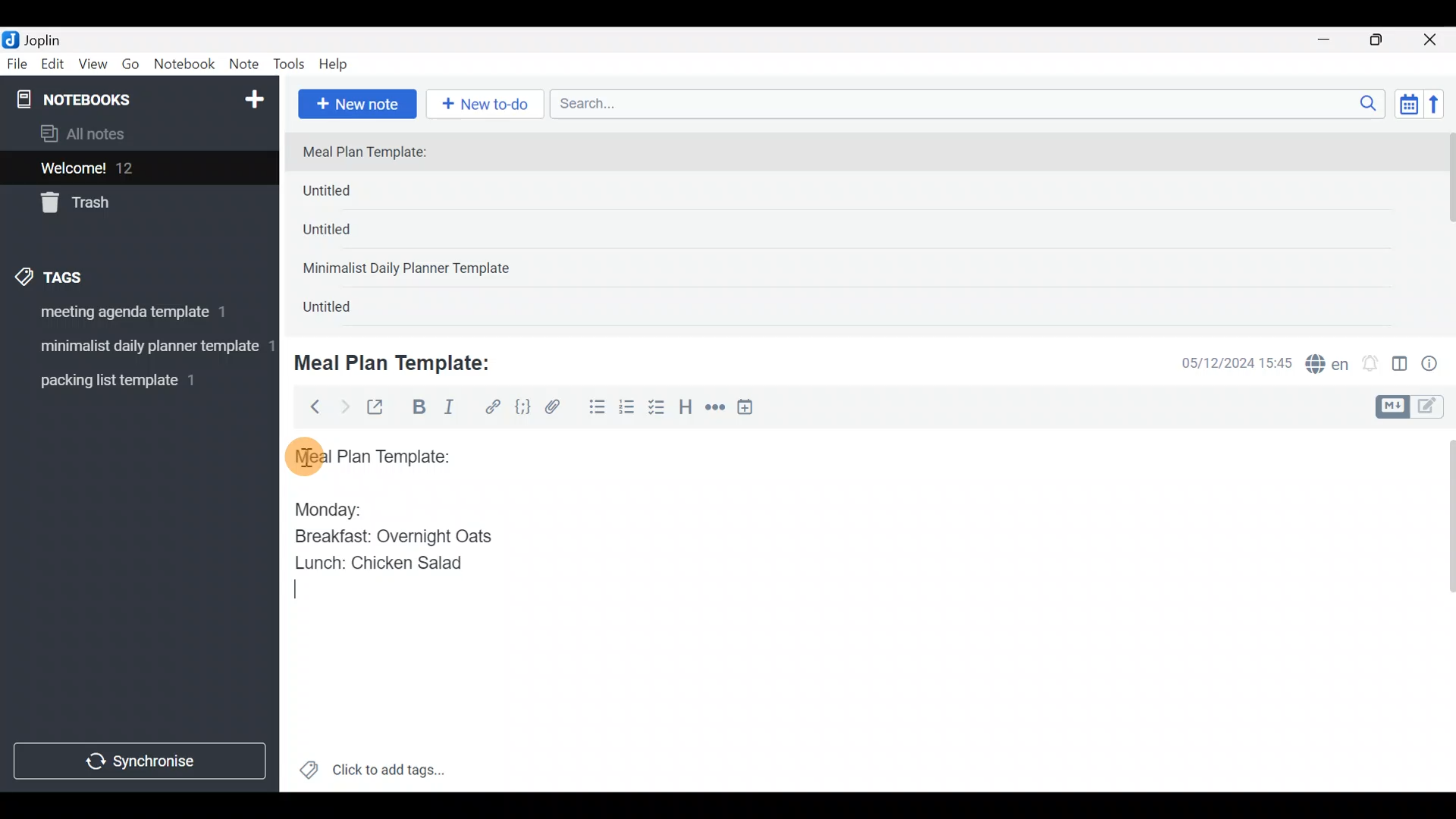  I want to click on Note properties, so click(1436, 365).